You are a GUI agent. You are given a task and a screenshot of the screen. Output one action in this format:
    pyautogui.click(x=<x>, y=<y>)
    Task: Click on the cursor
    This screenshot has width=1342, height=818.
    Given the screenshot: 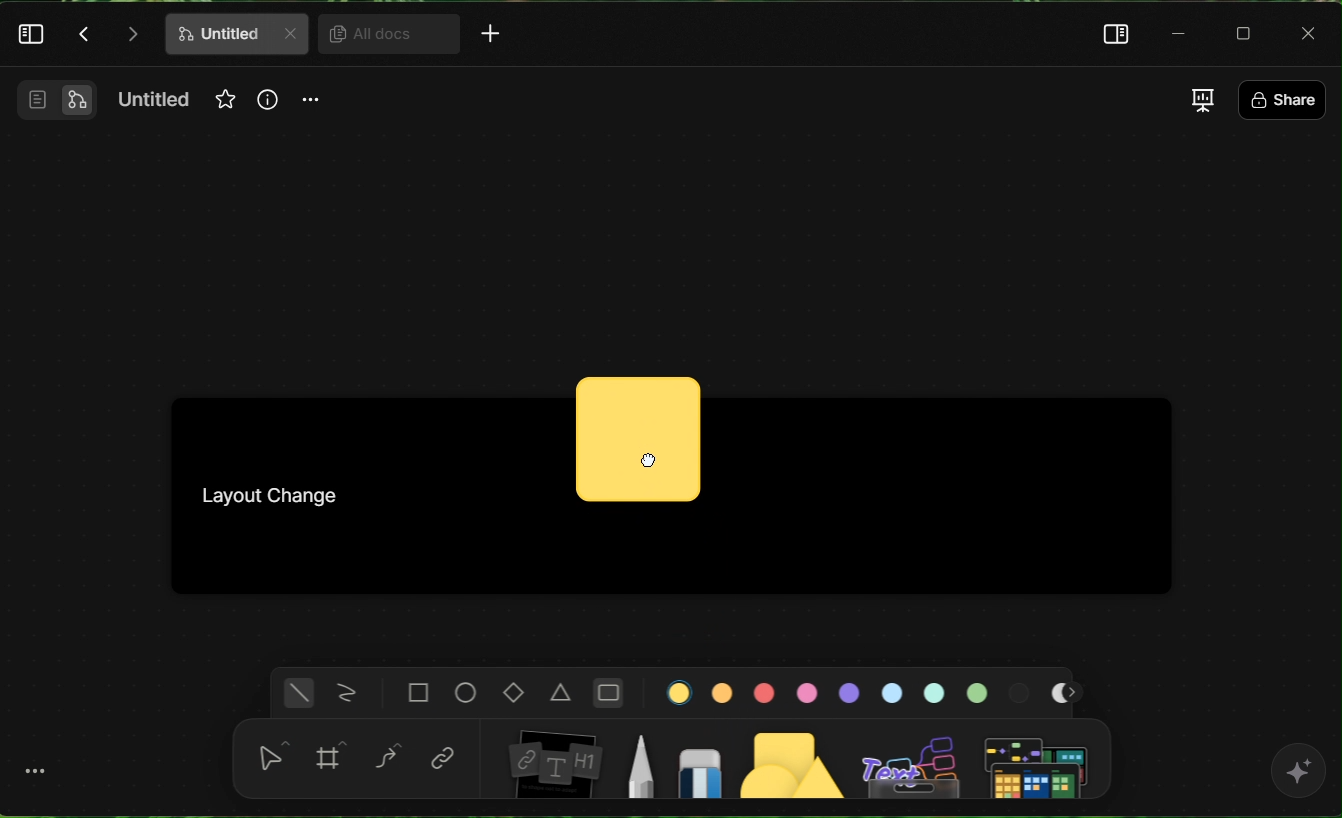 What is the action you would take?
    pyautogui.click(x=646, y=460)
    